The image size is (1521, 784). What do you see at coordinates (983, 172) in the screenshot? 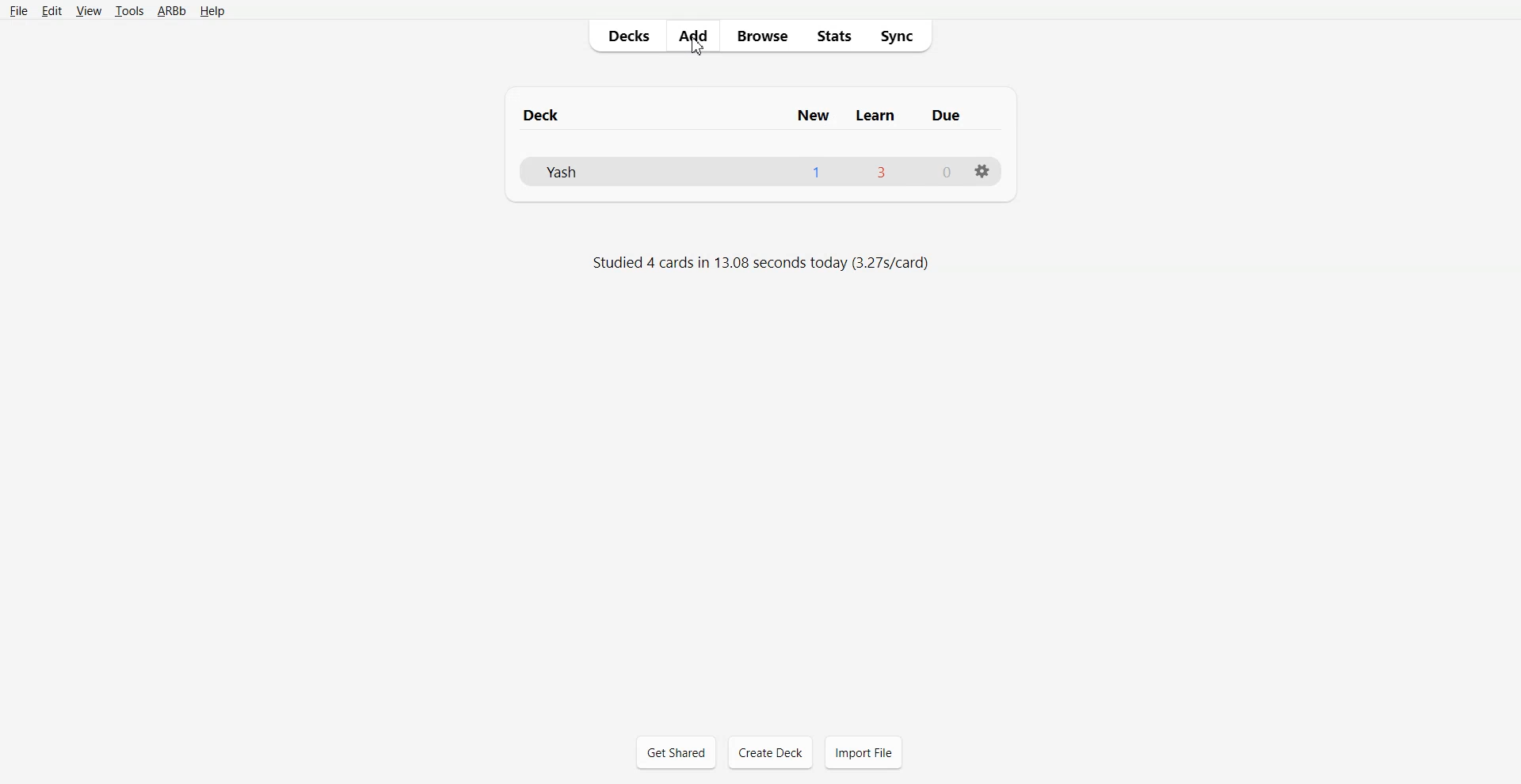
I see `Settings` at bounding box center [983, 172].